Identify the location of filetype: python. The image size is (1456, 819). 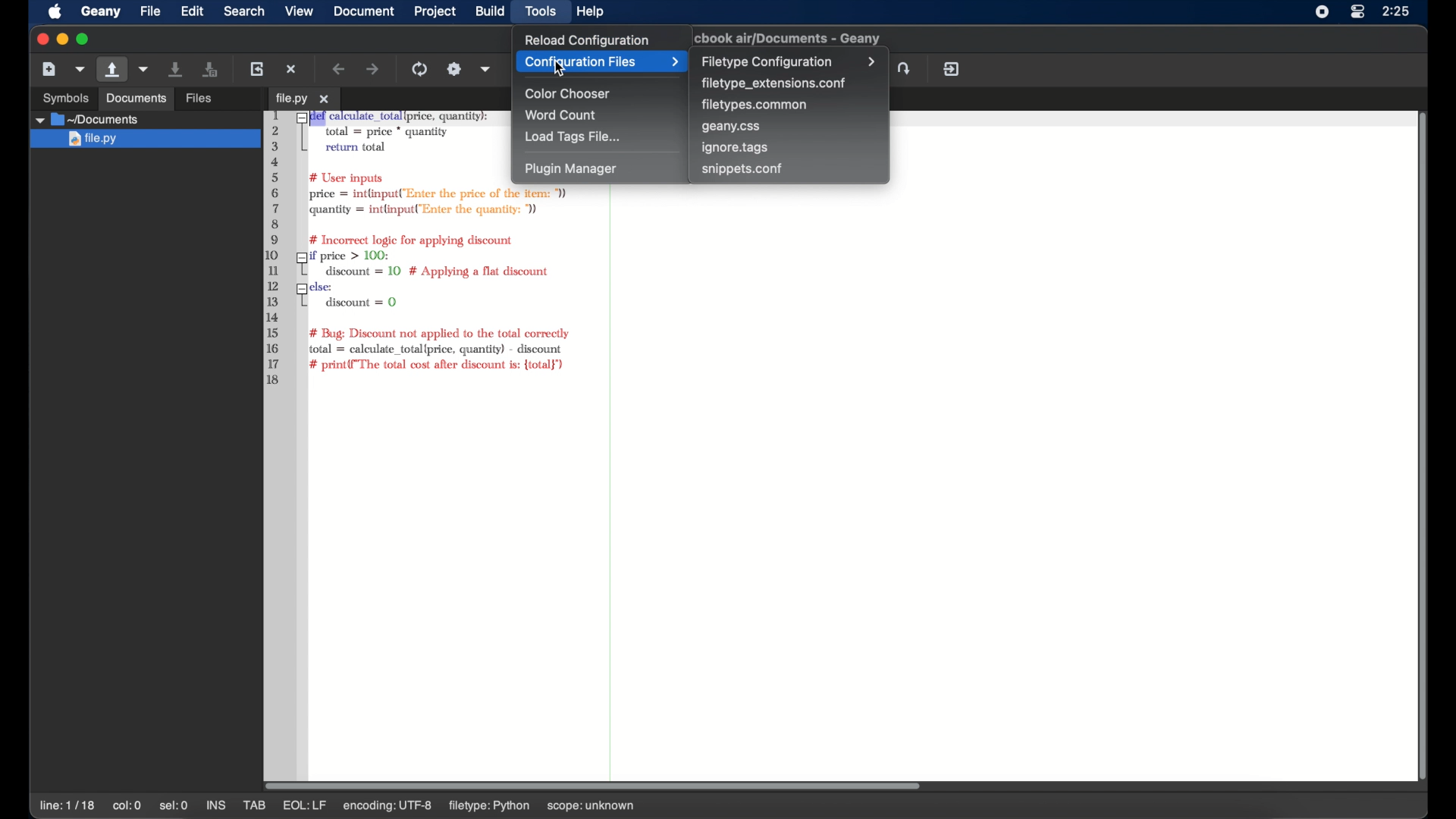
(532, 805).